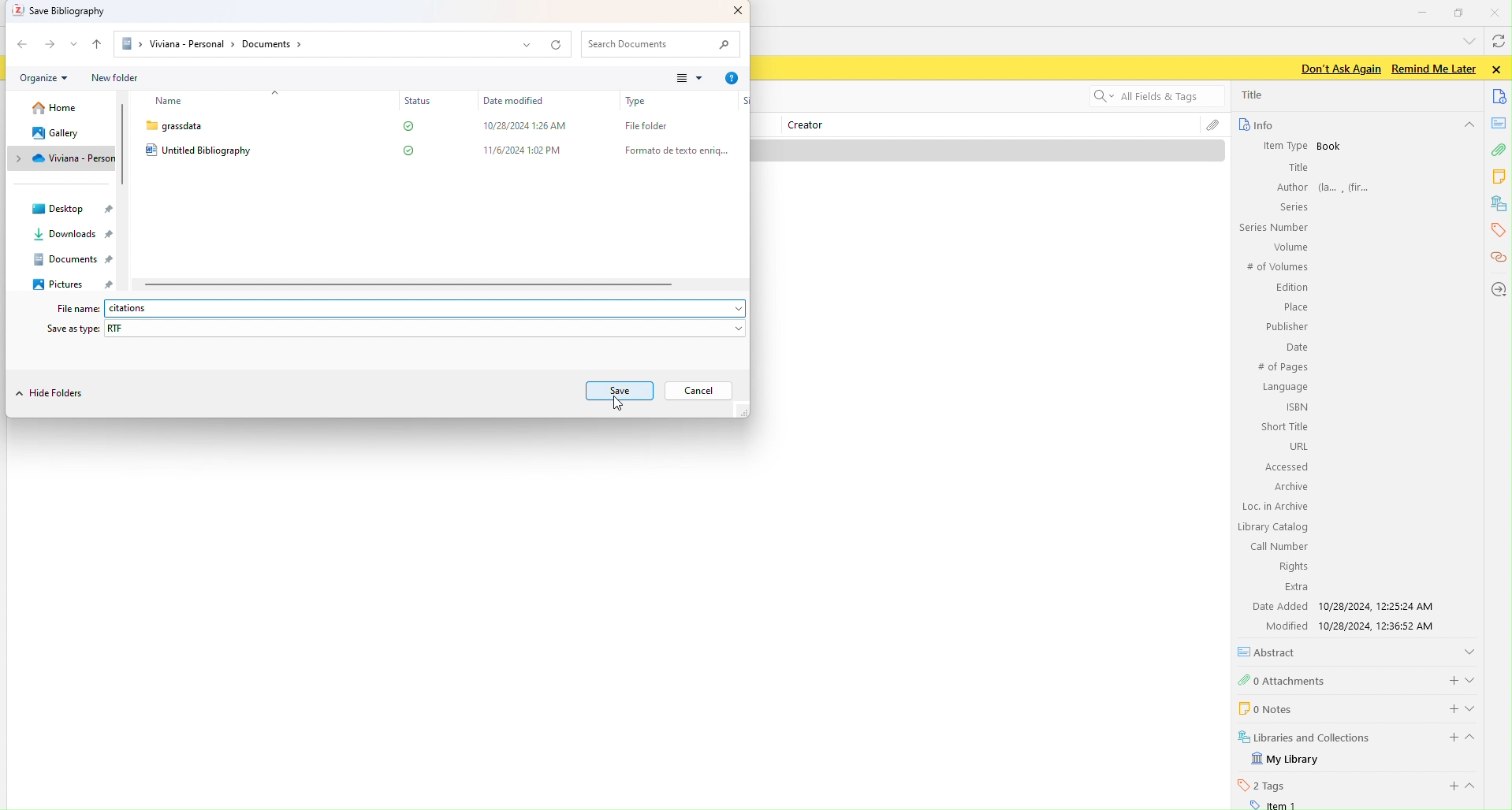 This screenshot has height=810, width=1512. Describe the element at coordinates (21, 43) in the screenshot. I see `previous` at that location.